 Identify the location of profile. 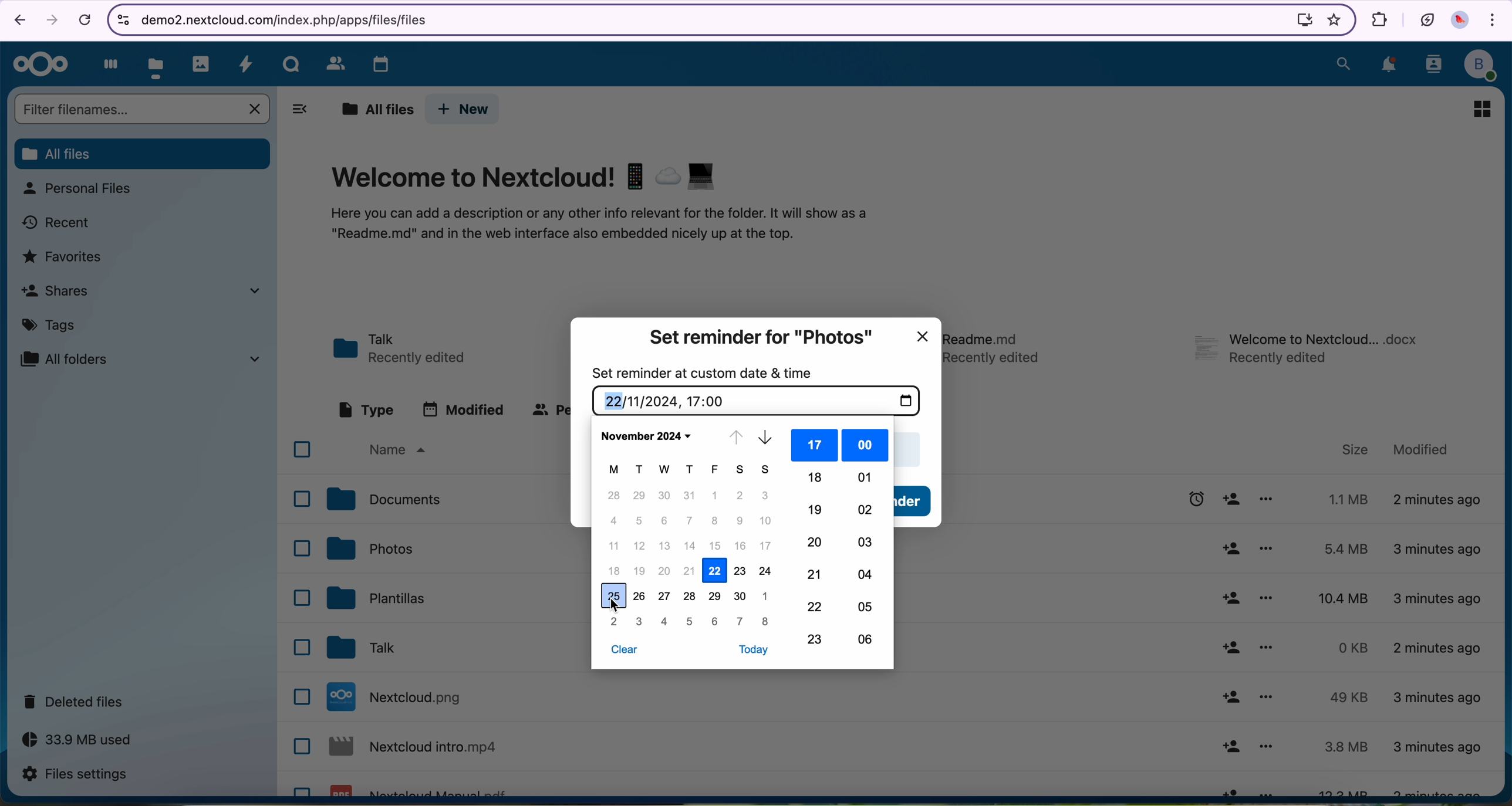
(1483, 63).